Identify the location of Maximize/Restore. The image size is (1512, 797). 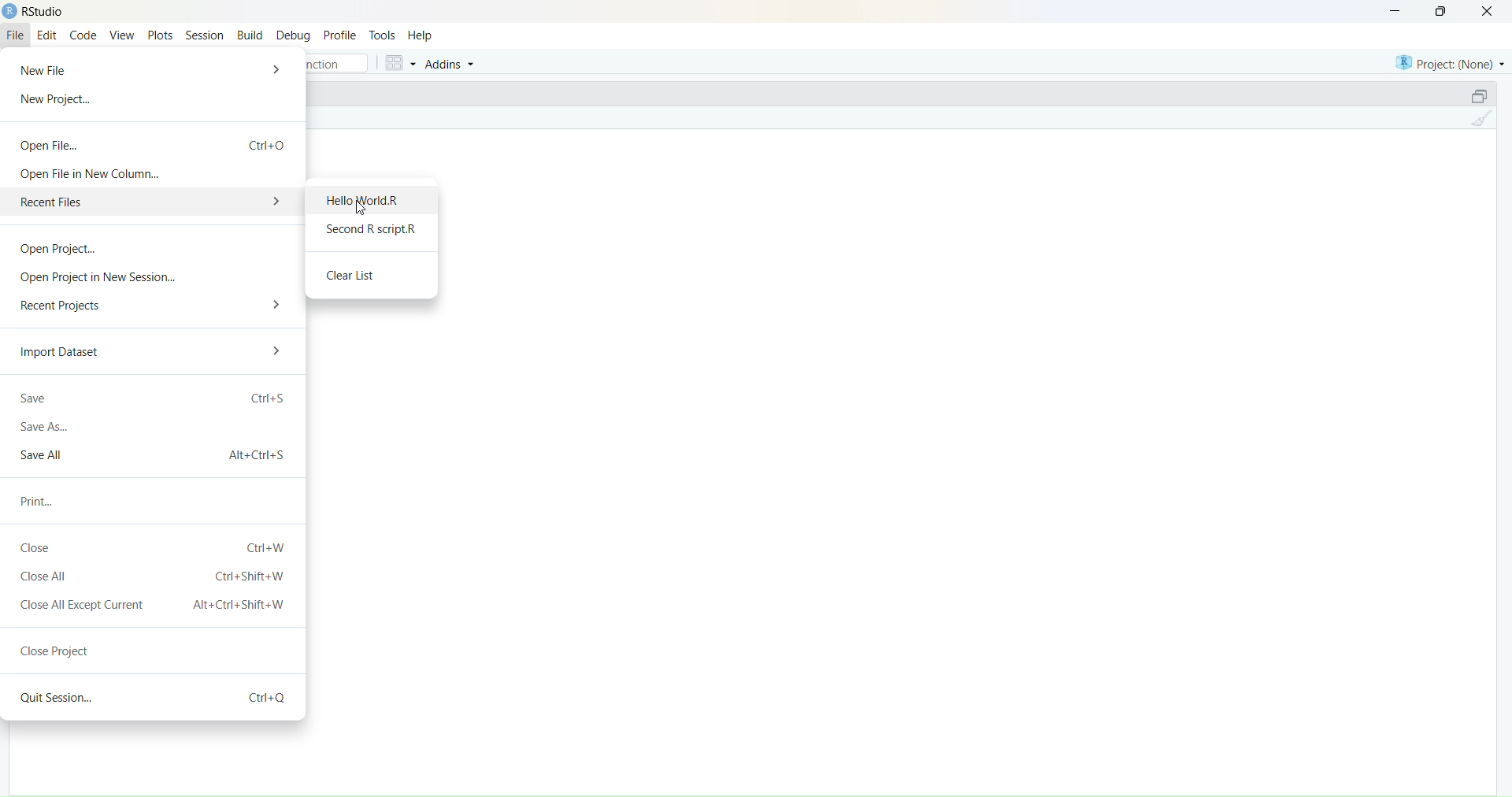
(1480, 94).